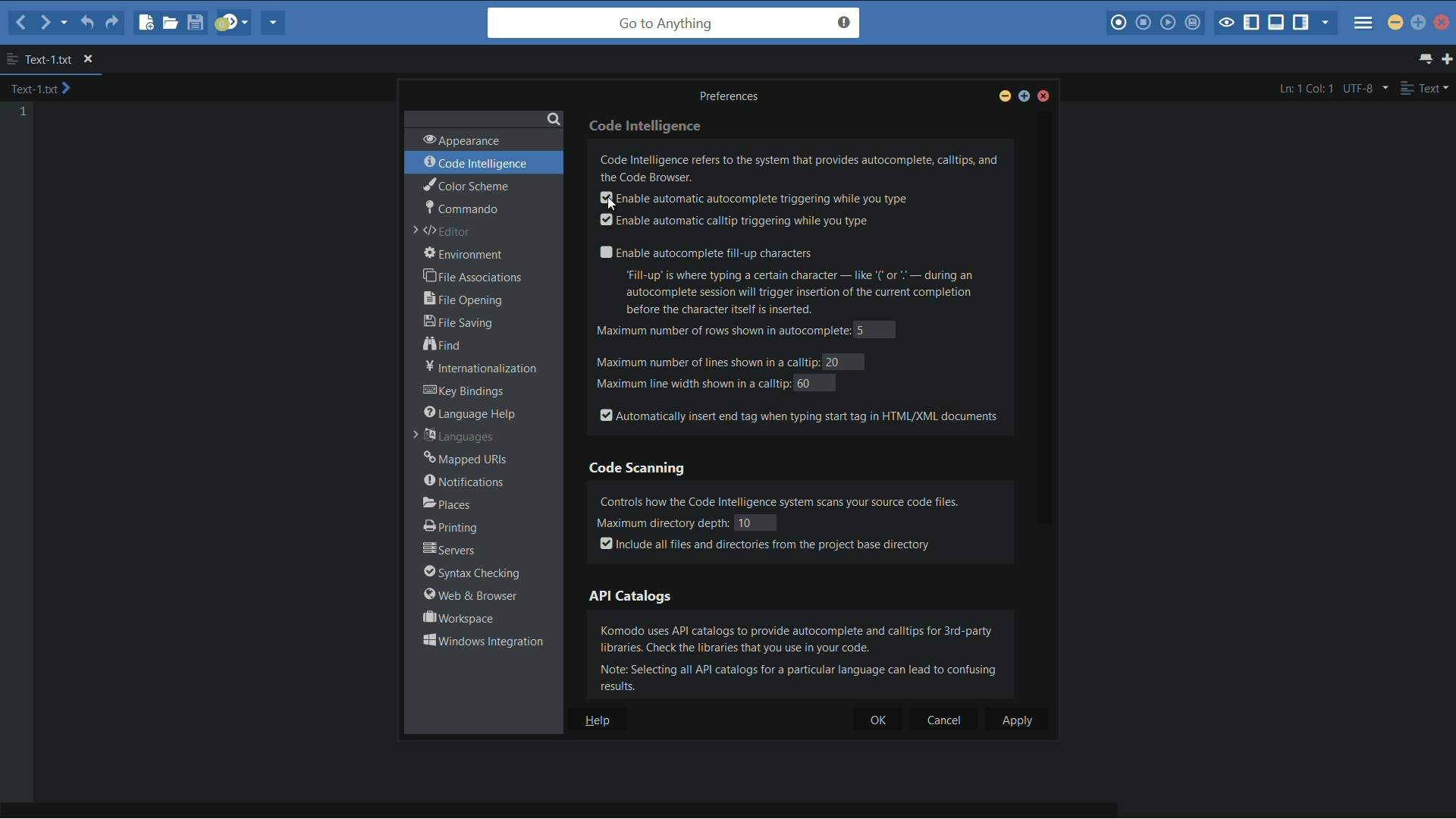  Describe the element at coordinates (1023, 99) in the screenshot. I see `maximize` at that location.